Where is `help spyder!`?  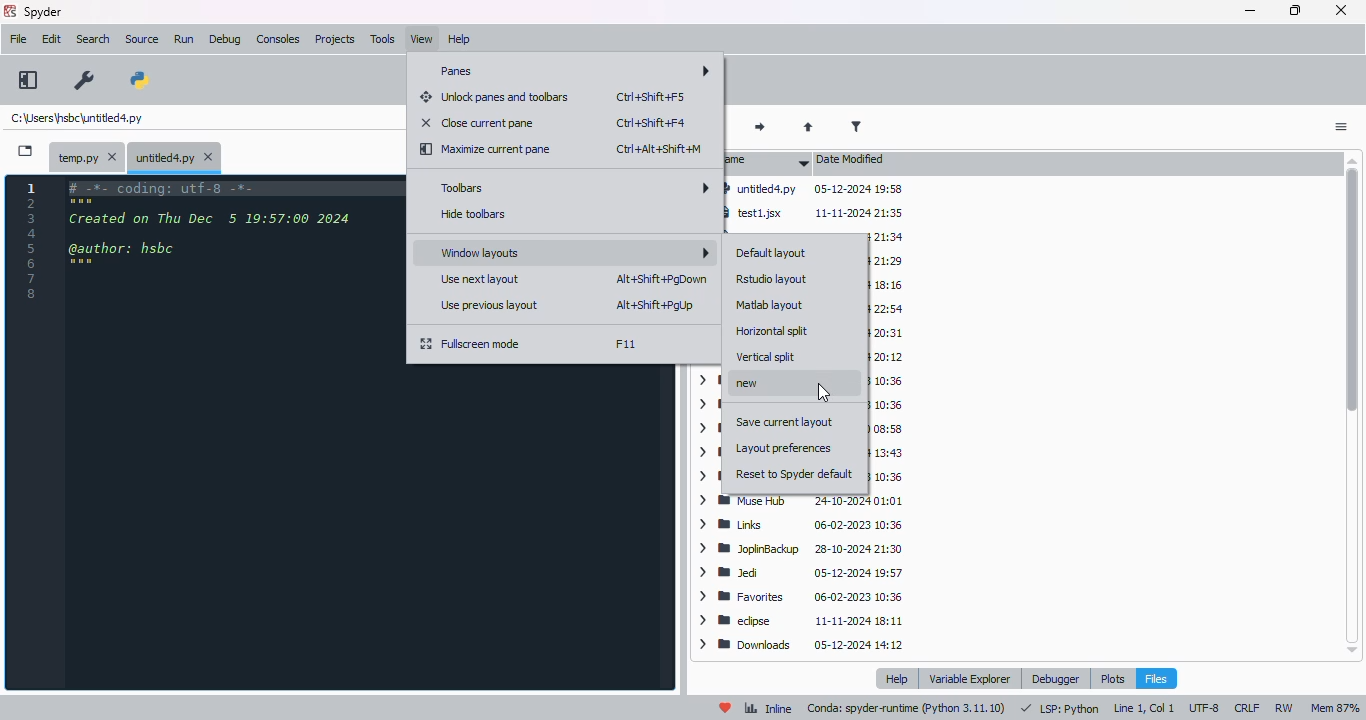 help spyder! is located at coordinates (726, 708).